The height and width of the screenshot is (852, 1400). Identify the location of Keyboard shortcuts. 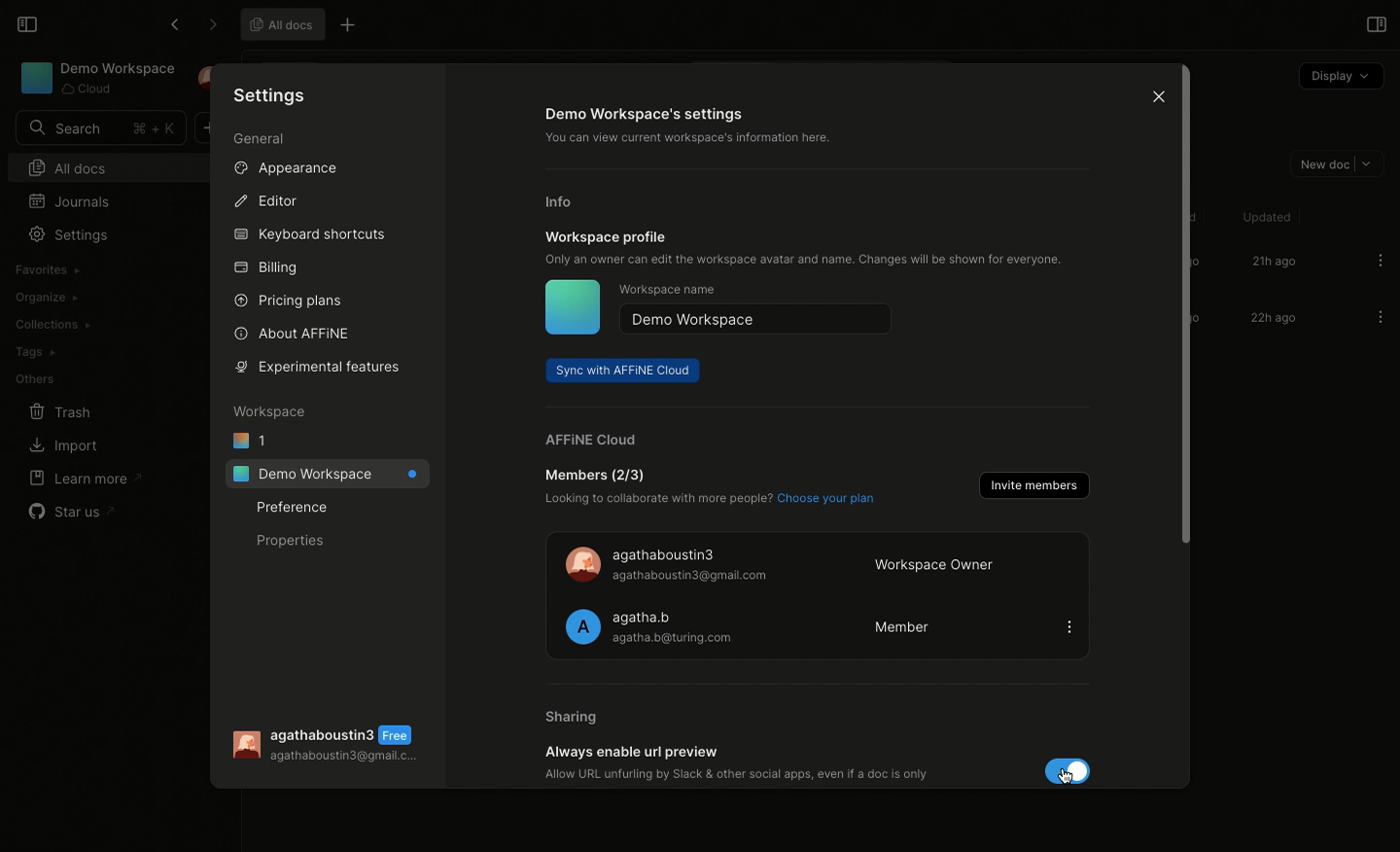
(311, 236).